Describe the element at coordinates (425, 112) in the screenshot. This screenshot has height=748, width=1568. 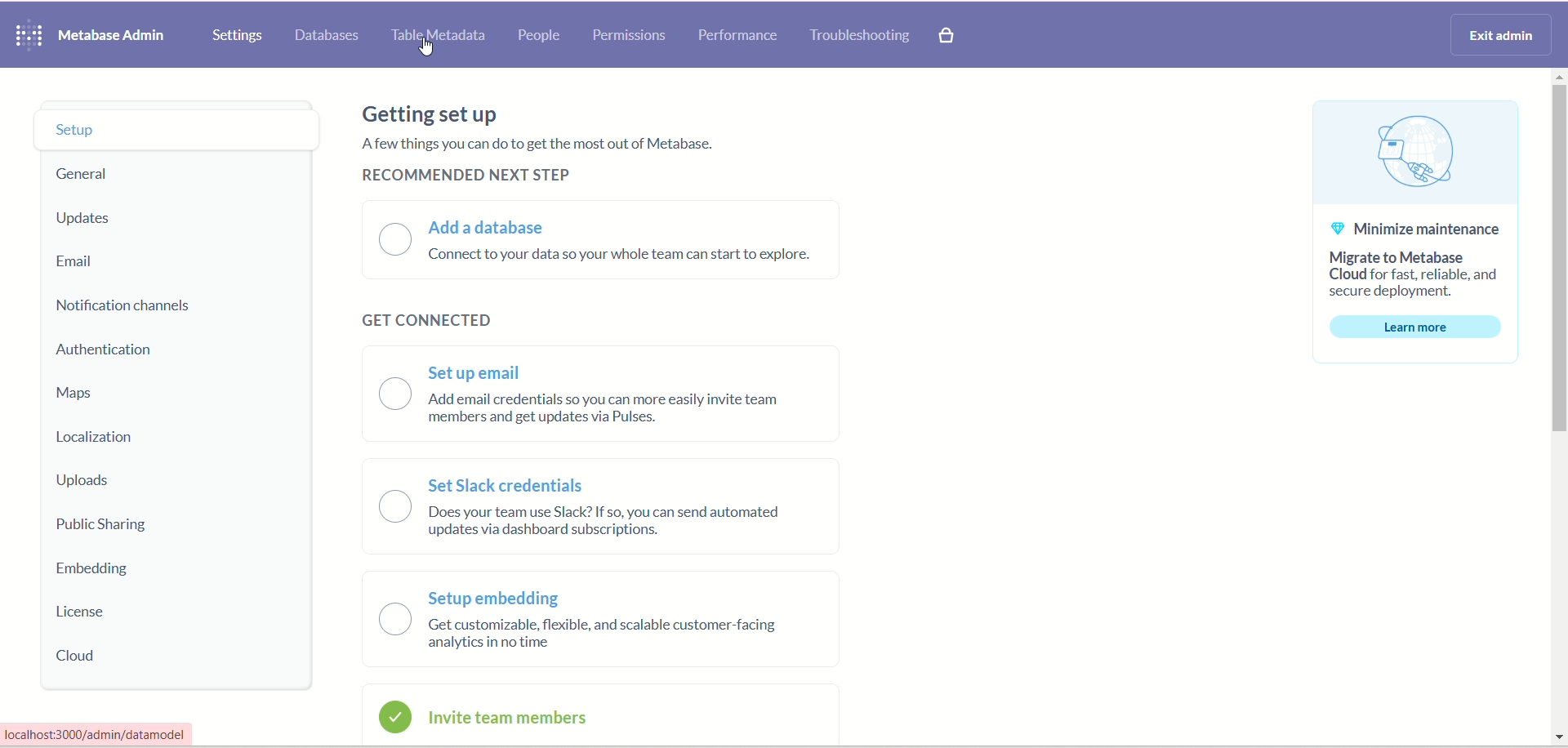
I see `getting set up ` at that location.